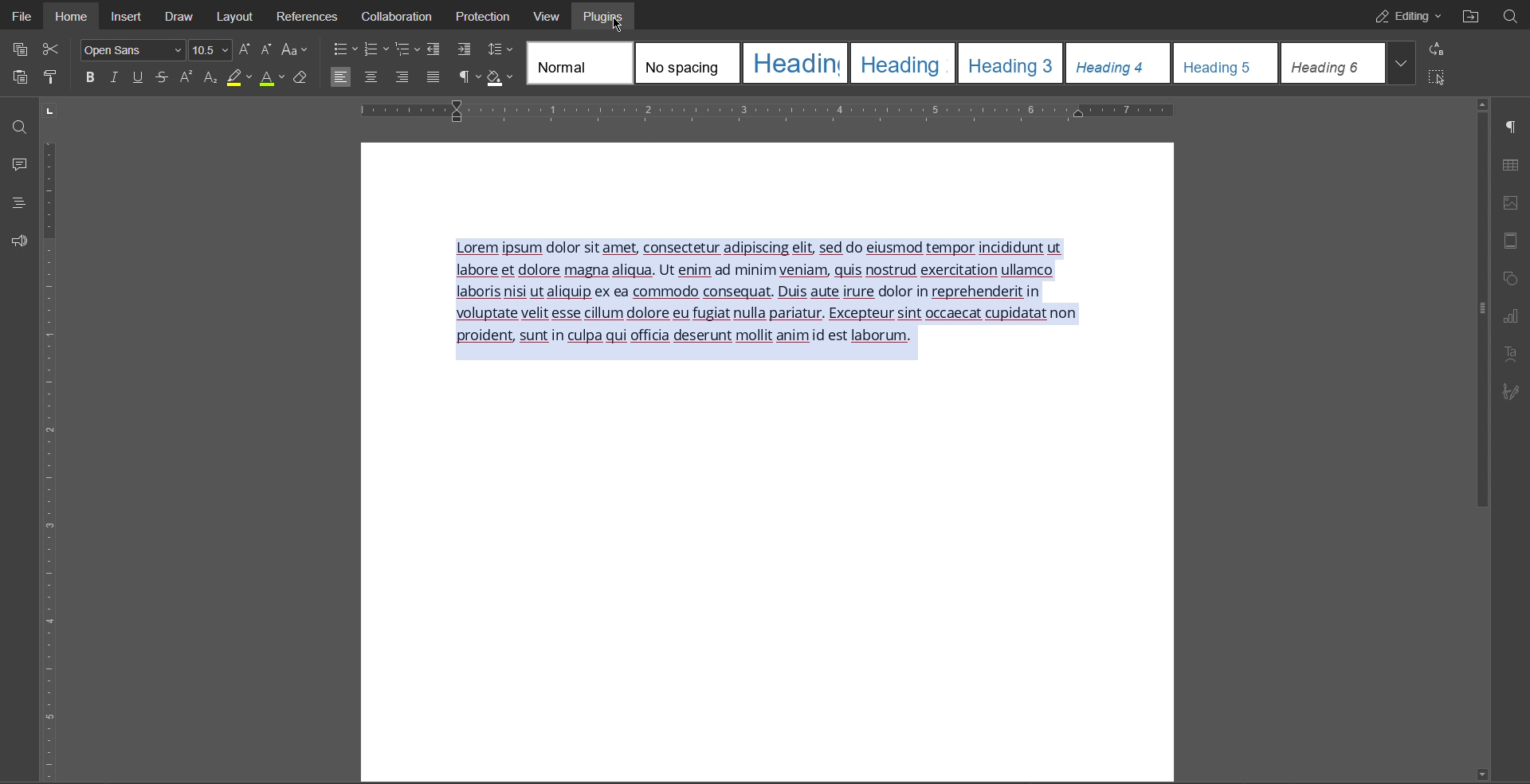 The width and height of the screenshot is (1530, 784). Describe the element at coordinates (1516, 17) in the screenshot. I see `Search` at that location.